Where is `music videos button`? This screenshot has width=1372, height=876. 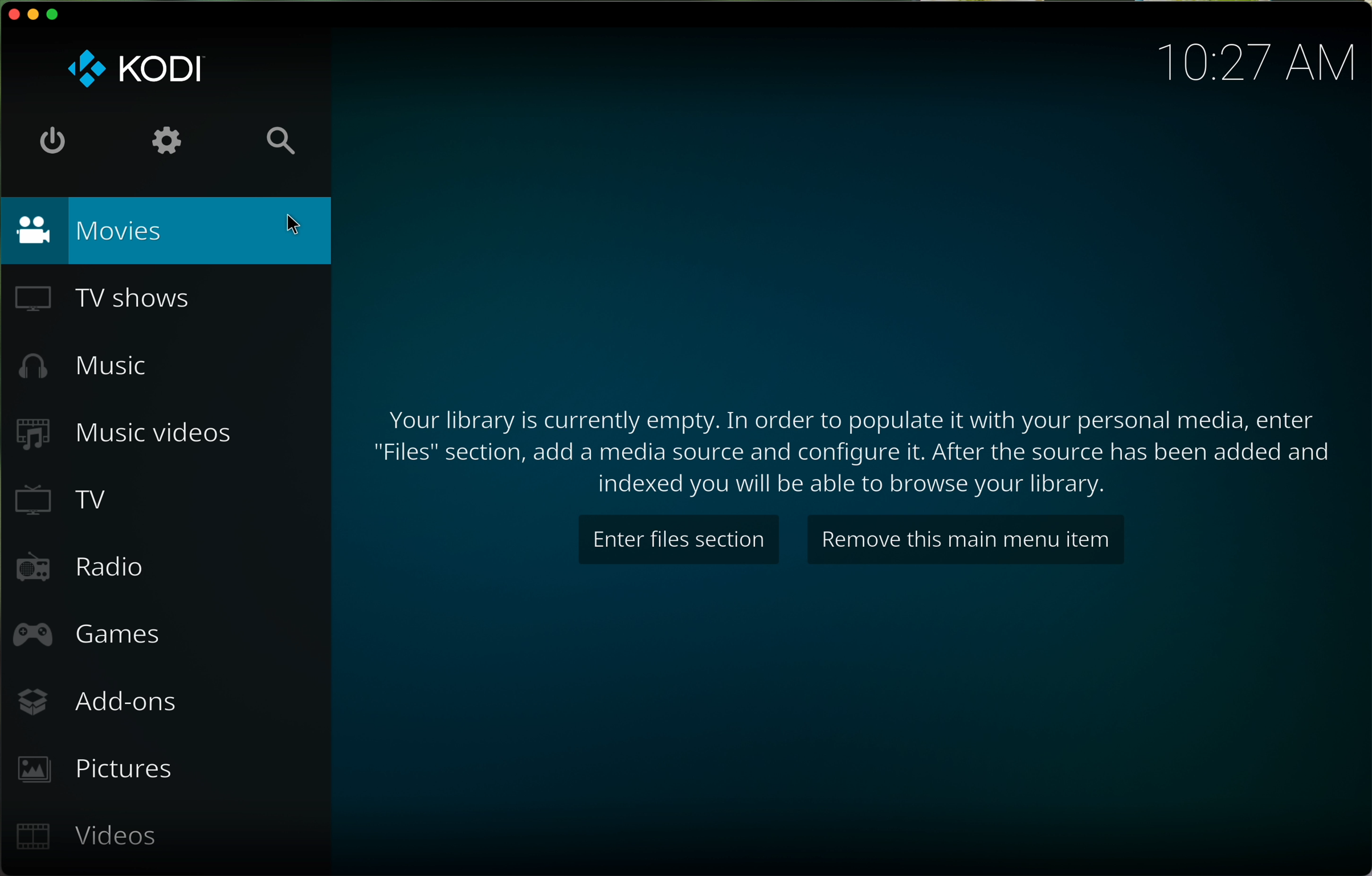 music videos button is located at coordinates (122, 433).